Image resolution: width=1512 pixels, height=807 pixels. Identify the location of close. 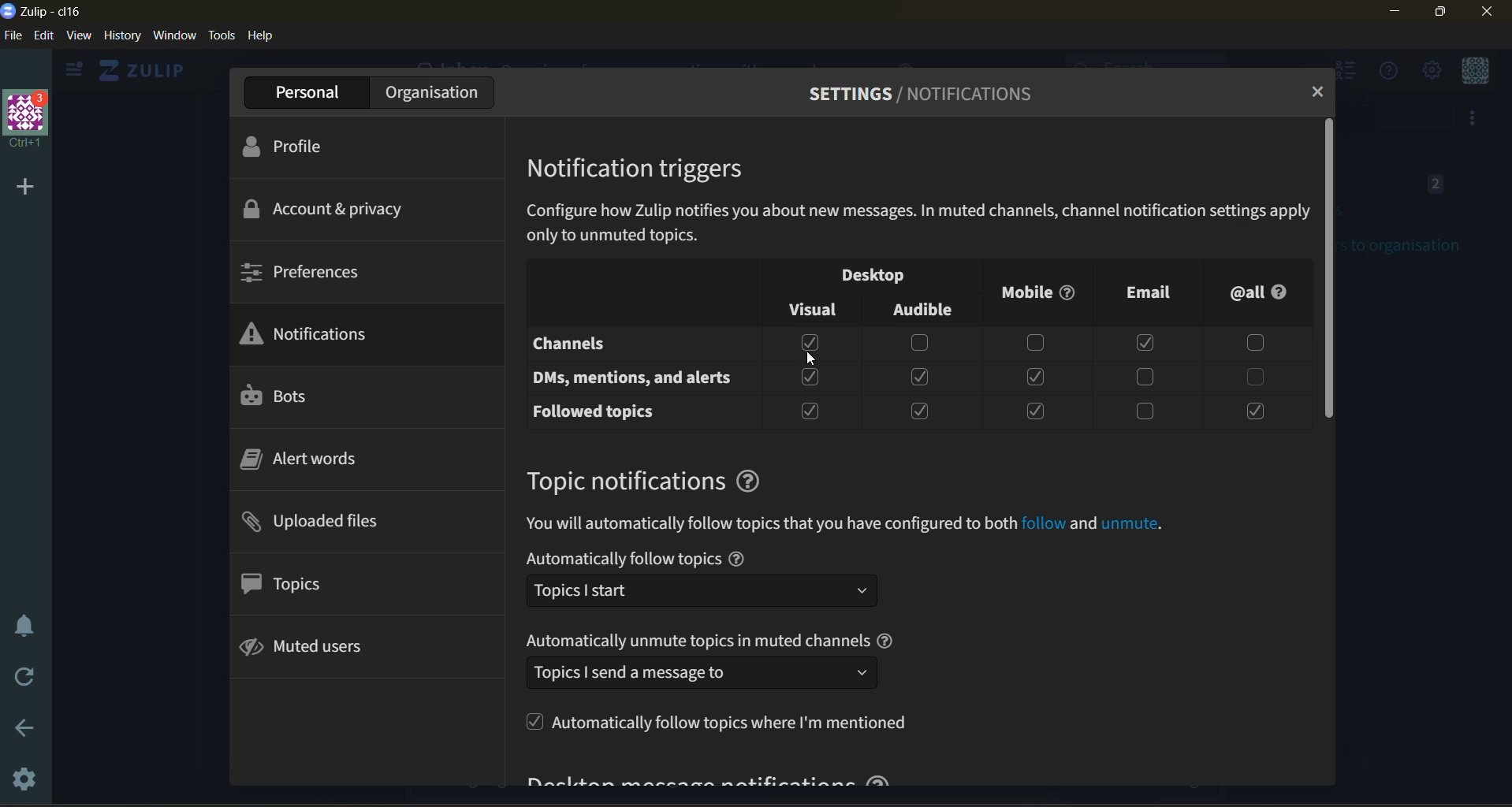
(1489, 12).